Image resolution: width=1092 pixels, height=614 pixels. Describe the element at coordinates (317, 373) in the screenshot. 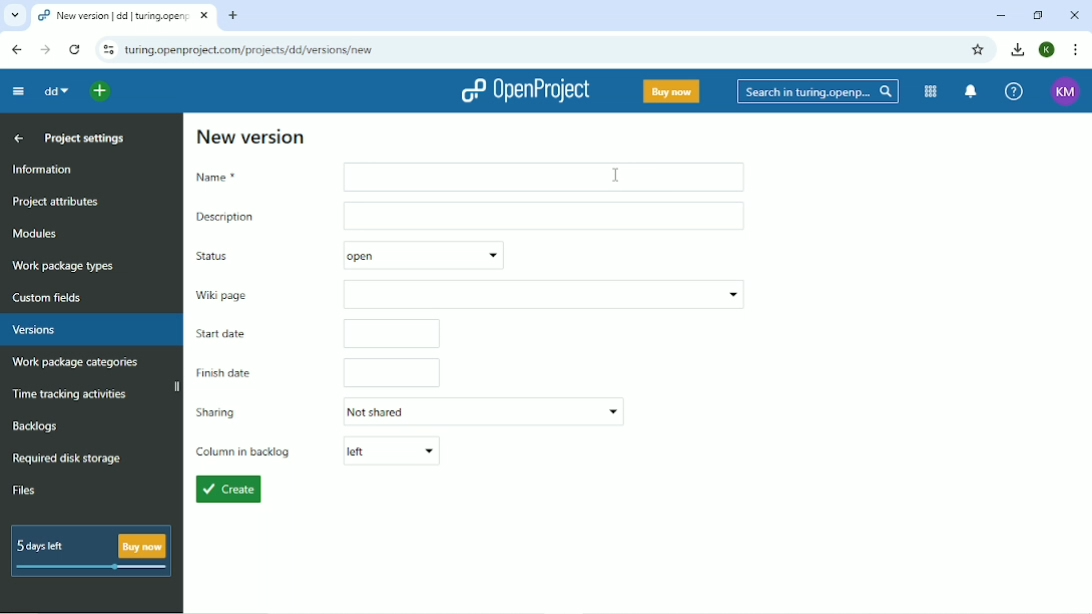

I see `Finish date` at that location.